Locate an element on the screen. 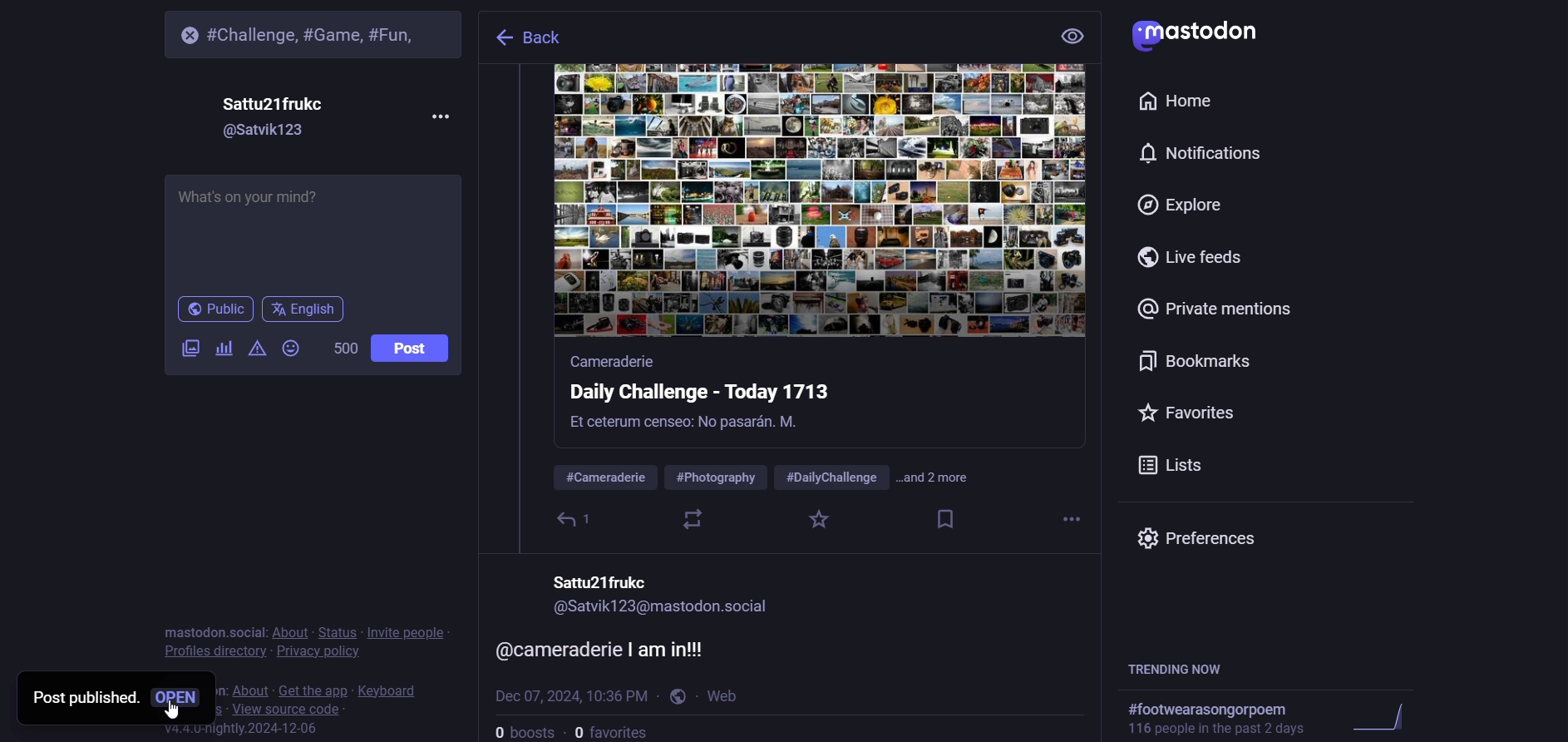  #daily challenge is located at coordinates (831, 476).